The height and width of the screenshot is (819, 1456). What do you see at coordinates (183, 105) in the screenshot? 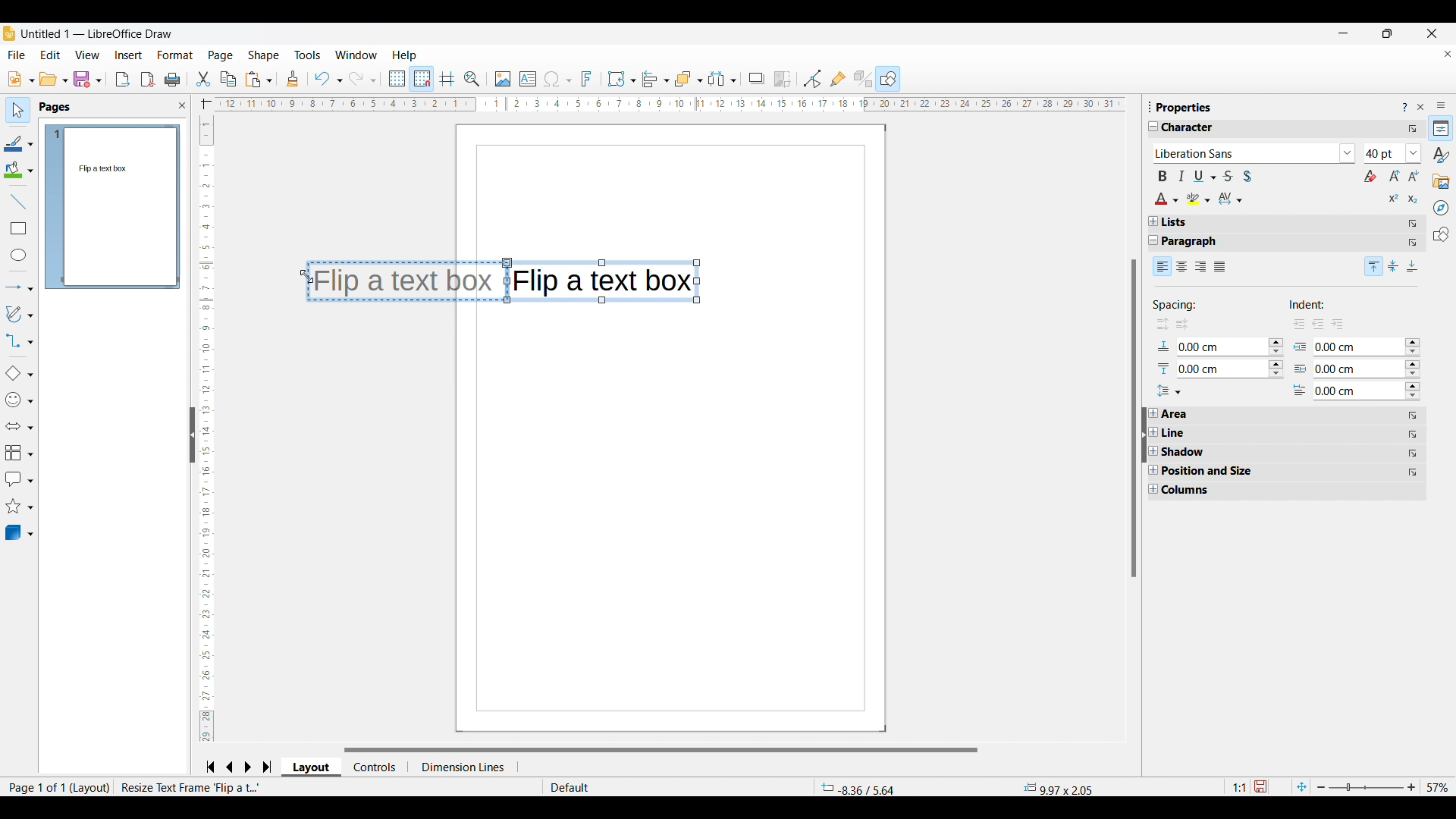
I see `Close sidebar` at bounding box center [183, 105].